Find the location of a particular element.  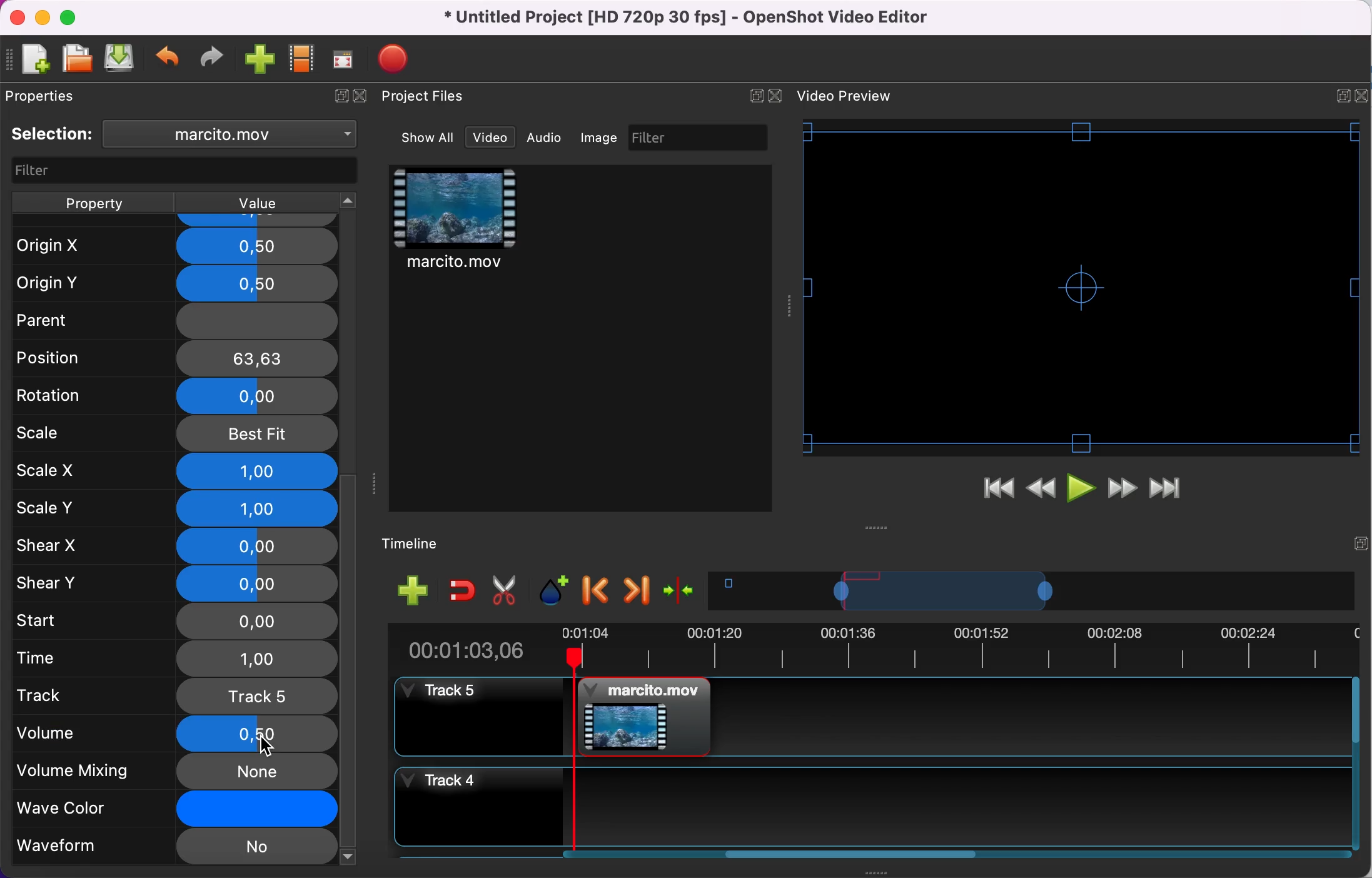

properties is located at coordinates (46, 96).